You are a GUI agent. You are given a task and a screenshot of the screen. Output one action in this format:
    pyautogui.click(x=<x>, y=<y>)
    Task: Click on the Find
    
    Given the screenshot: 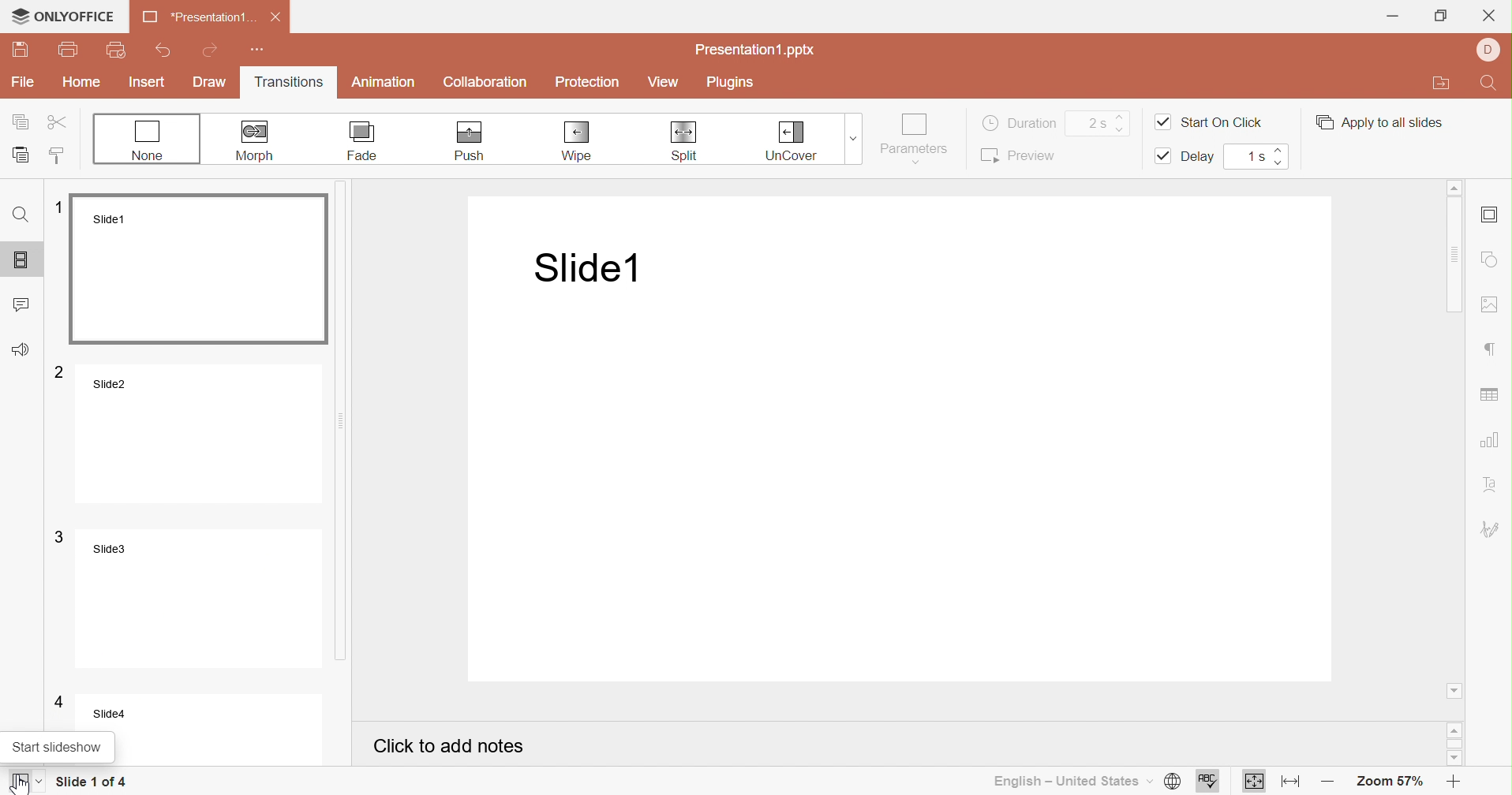 What is the action you would take?
    pyautogui.click(x=1491, y=82)
    